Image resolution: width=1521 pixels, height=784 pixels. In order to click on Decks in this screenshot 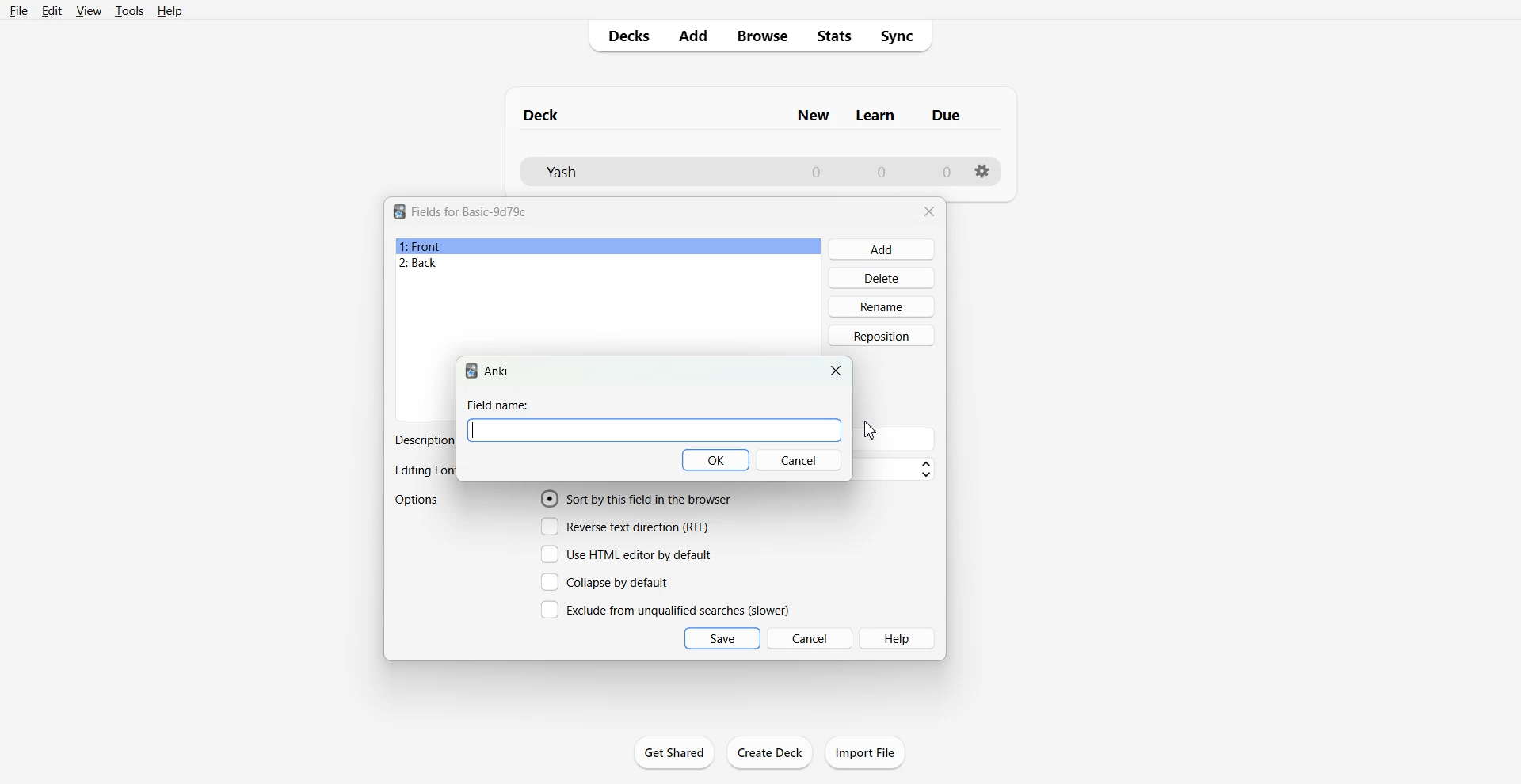, I will do `click(623, 36)`.